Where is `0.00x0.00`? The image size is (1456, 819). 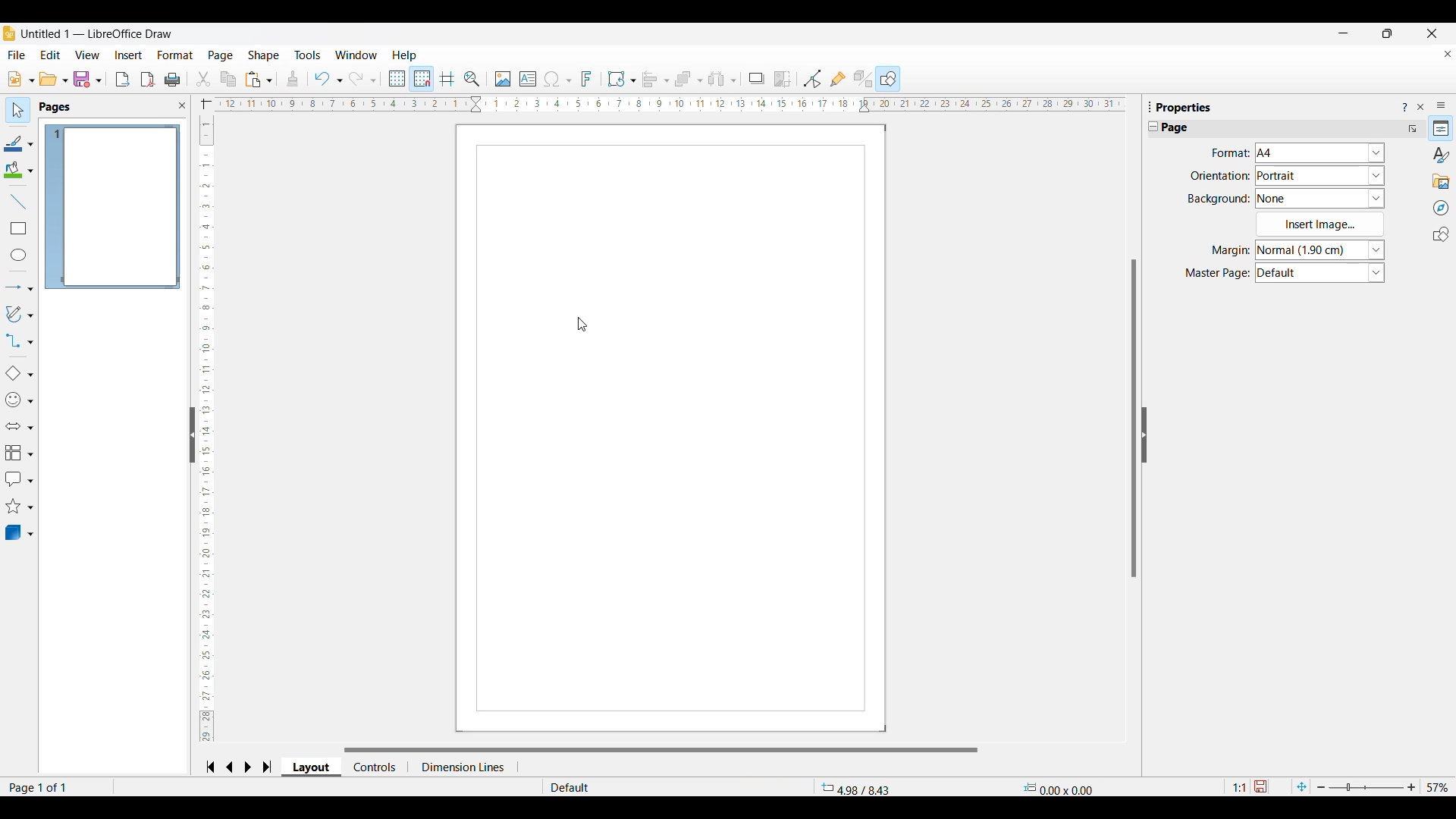
0.00x0.00 is located at coordinates (1057, 787).